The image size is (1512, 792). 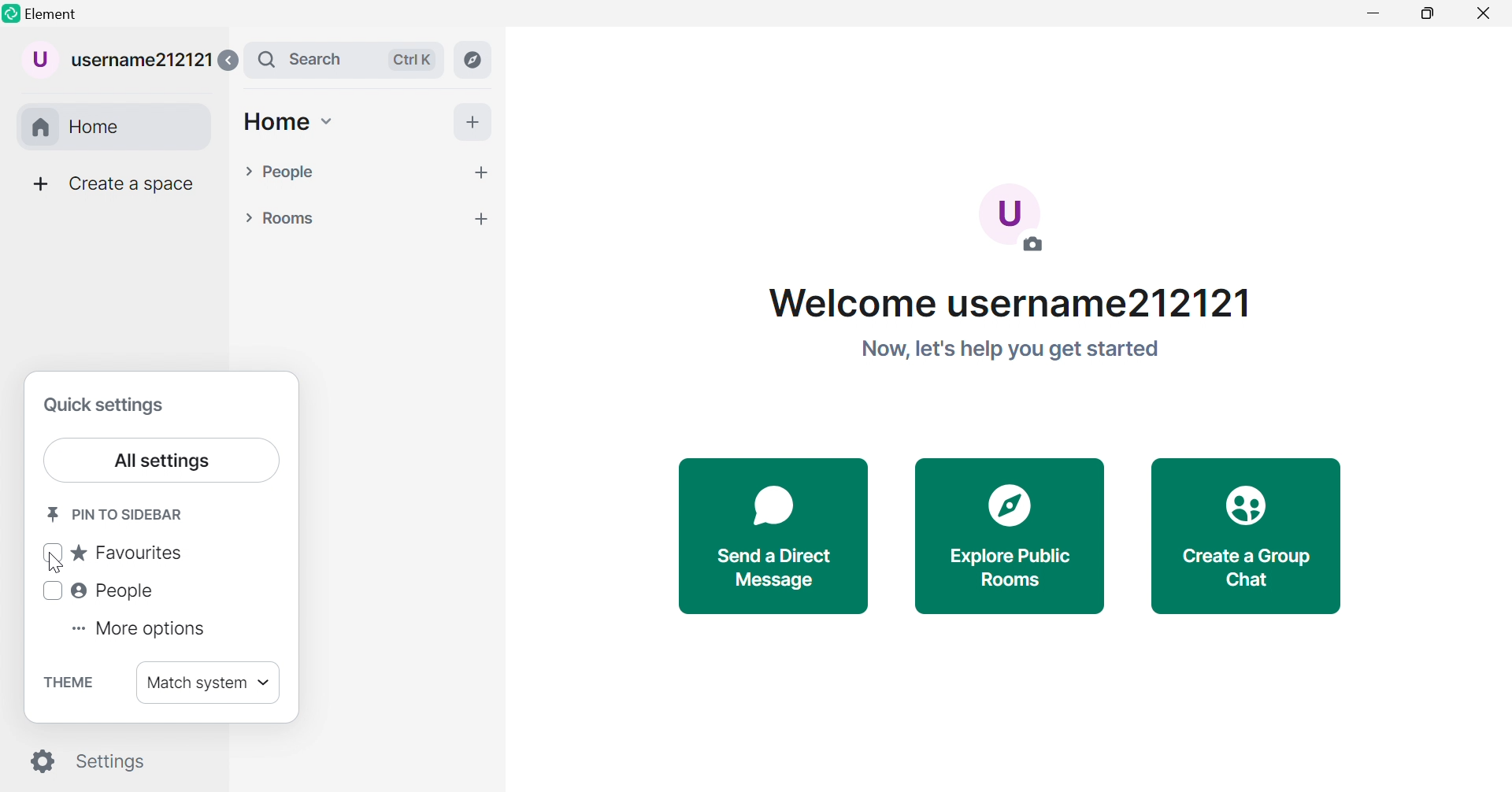 What do you see at coordinates (139, 630) in the screenshot?
I see `More options` at bounding box center [139, 630].